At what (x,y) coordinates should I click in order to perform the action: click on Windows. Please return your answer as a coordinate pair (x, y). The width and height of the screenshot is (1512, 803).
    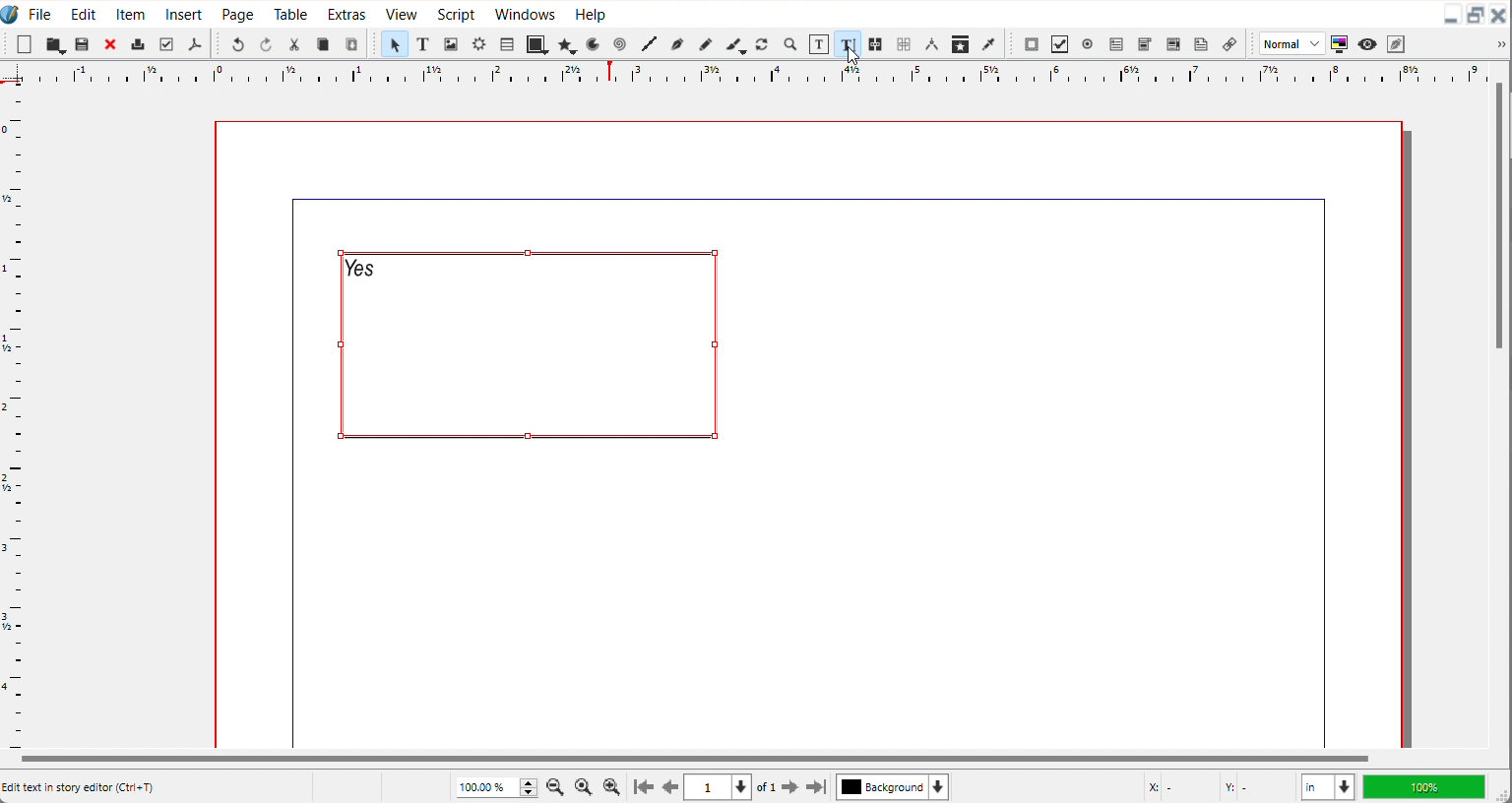
    Looking at the image, I should click on (525, 12).